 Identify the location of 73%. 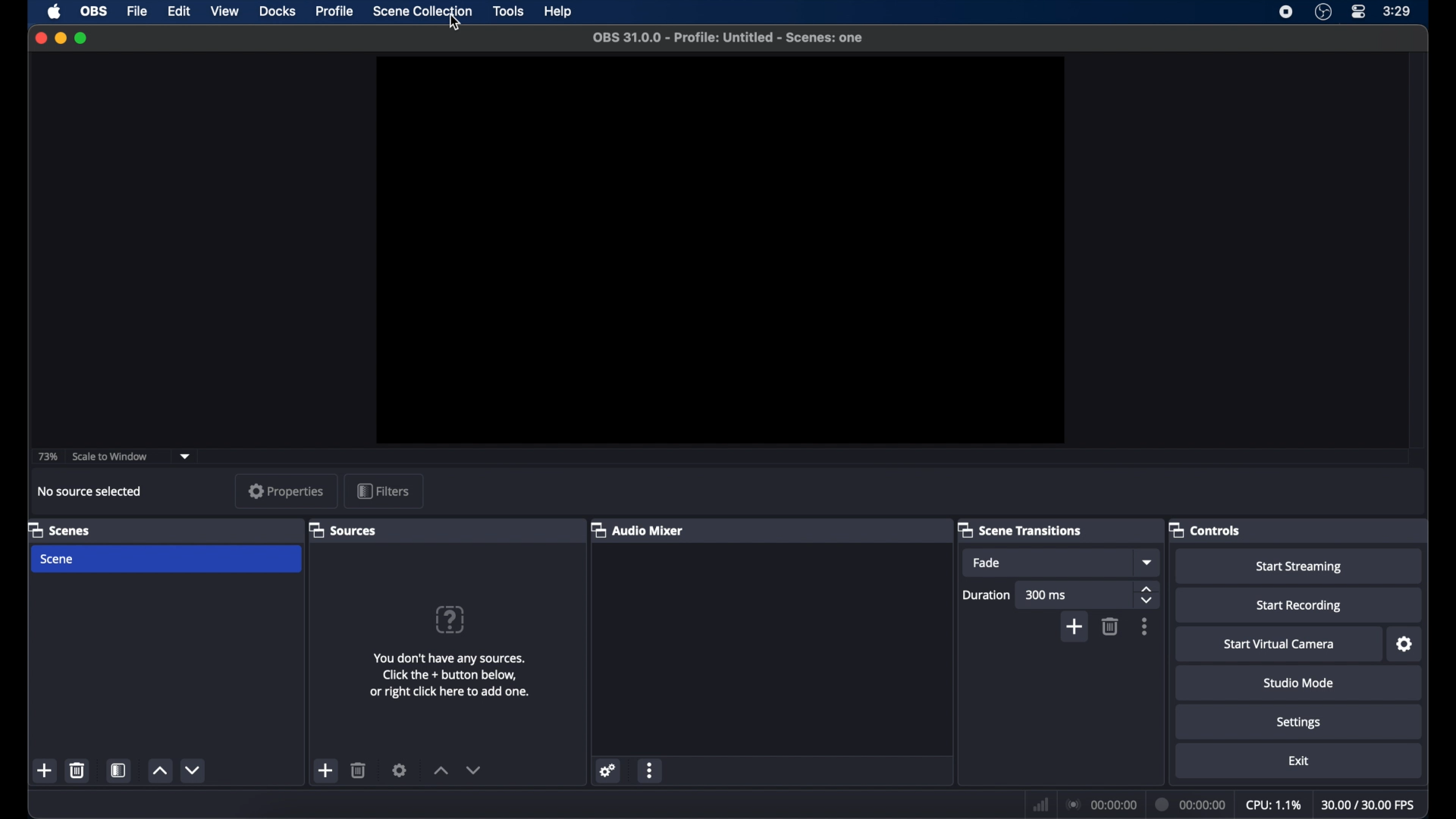
(47, 456).